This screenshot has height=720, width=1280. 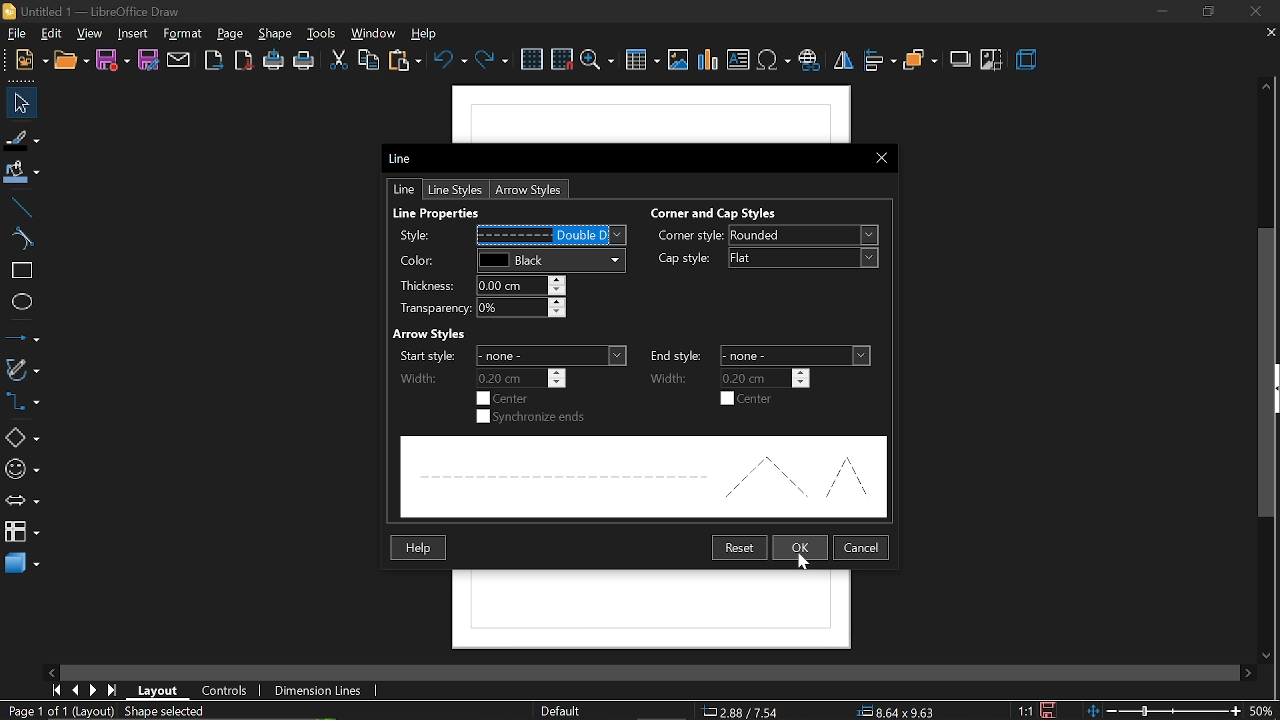 I want to click on edit, so click(x=50, y=34).